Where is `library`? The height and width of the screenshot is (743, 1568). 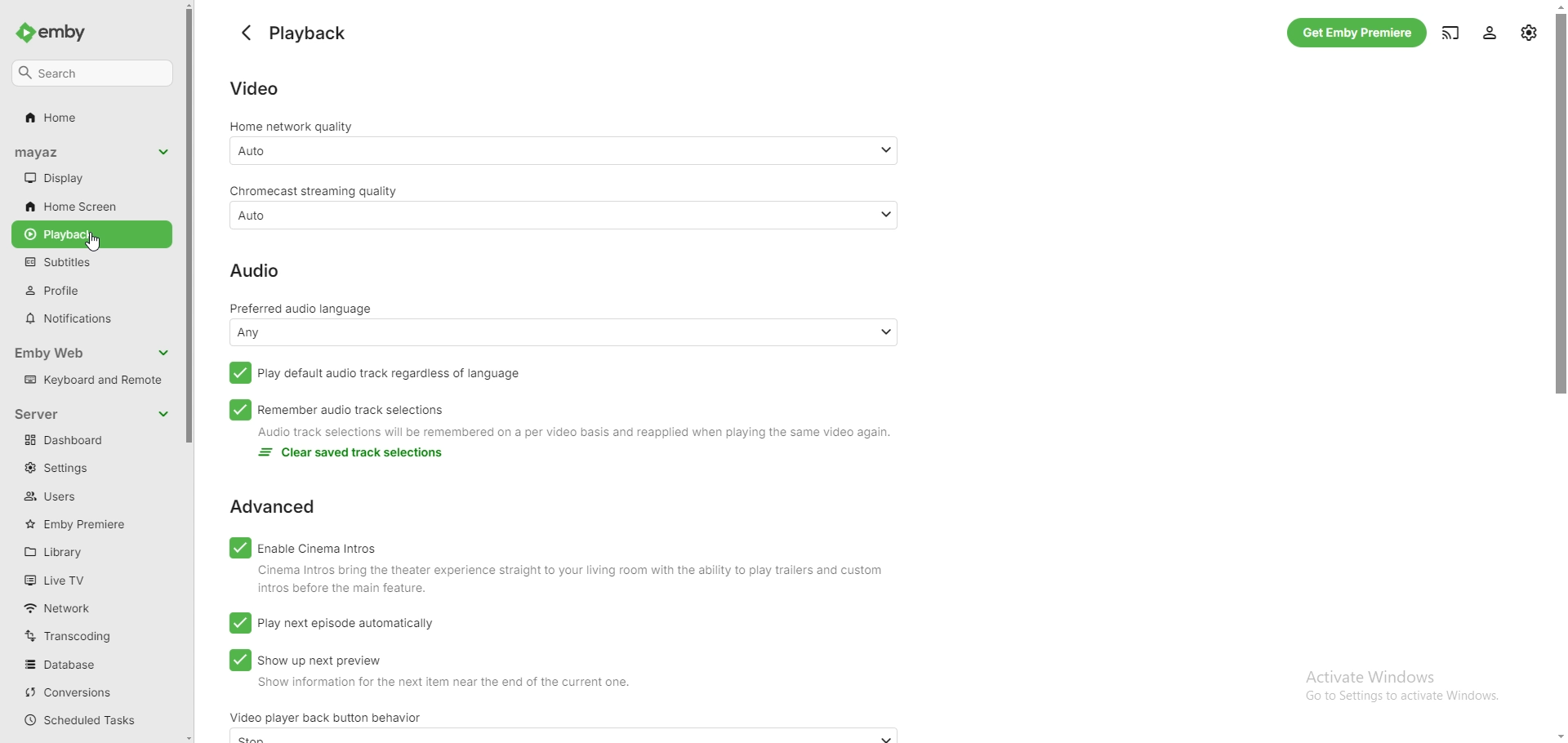
library is located at coordinates (89, 551).